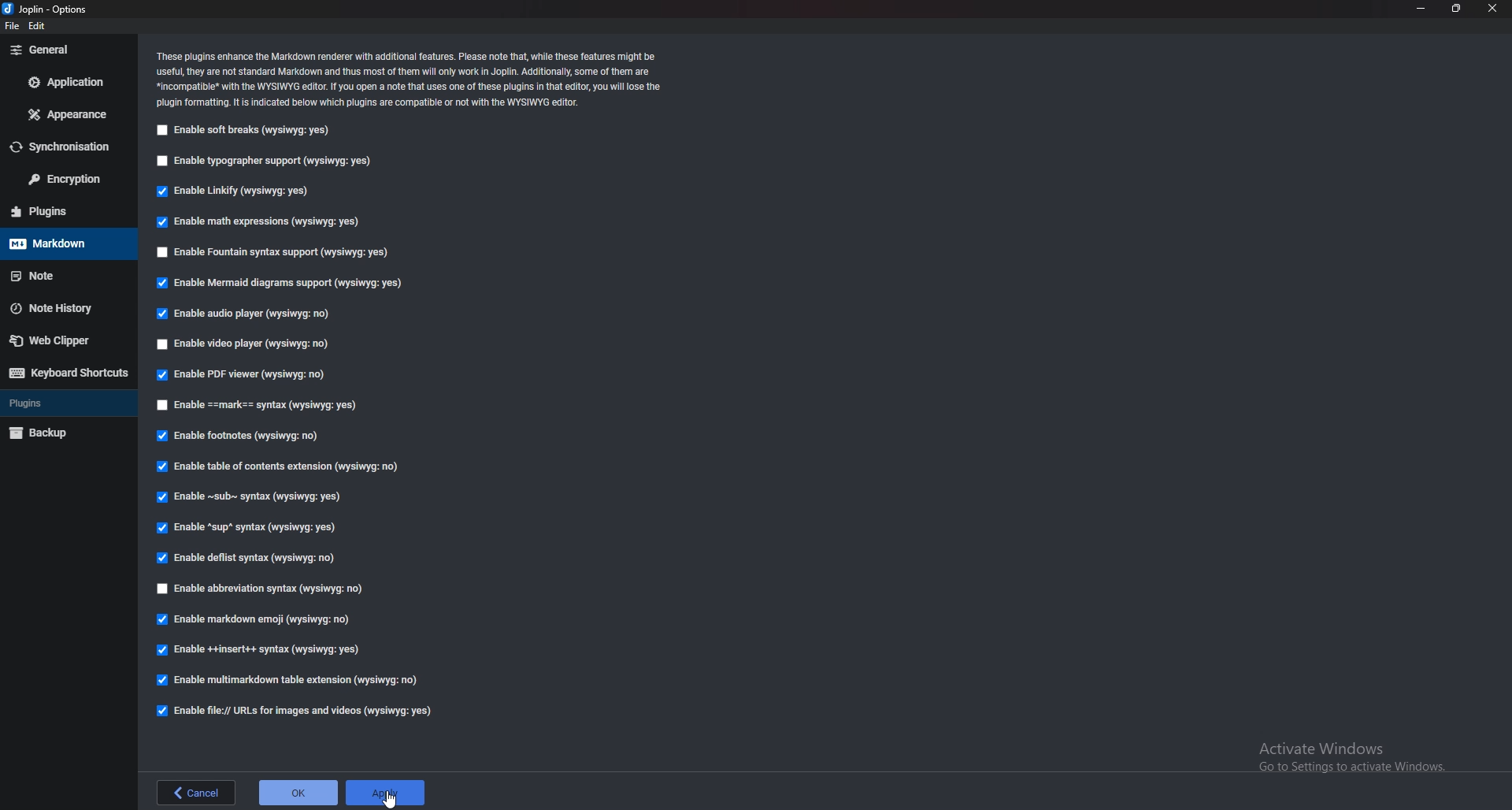  What do you see at coordinates (244, 314) in the screenshot?
I see `Enable audio player` at bounding box center [244, 314].